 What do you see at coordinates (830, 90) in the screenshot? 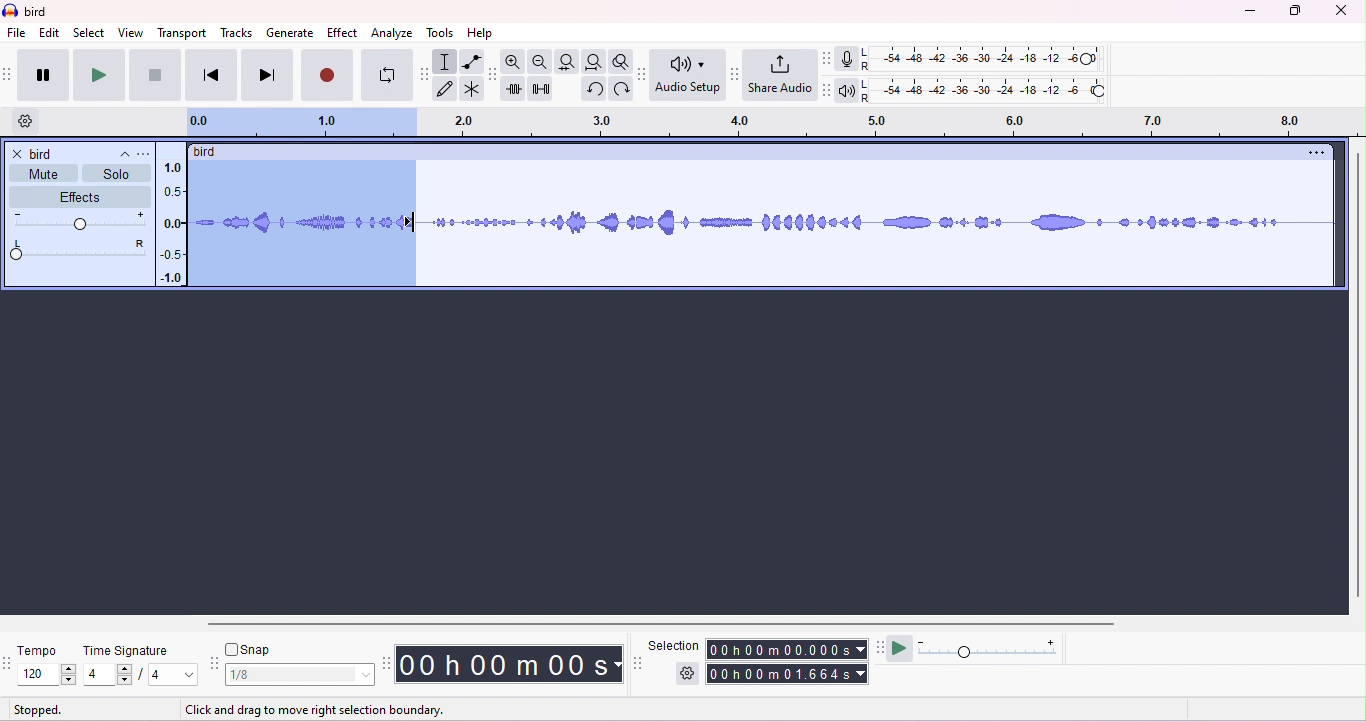
I see `playback meter tool bar` at bounding box center [830, 90].